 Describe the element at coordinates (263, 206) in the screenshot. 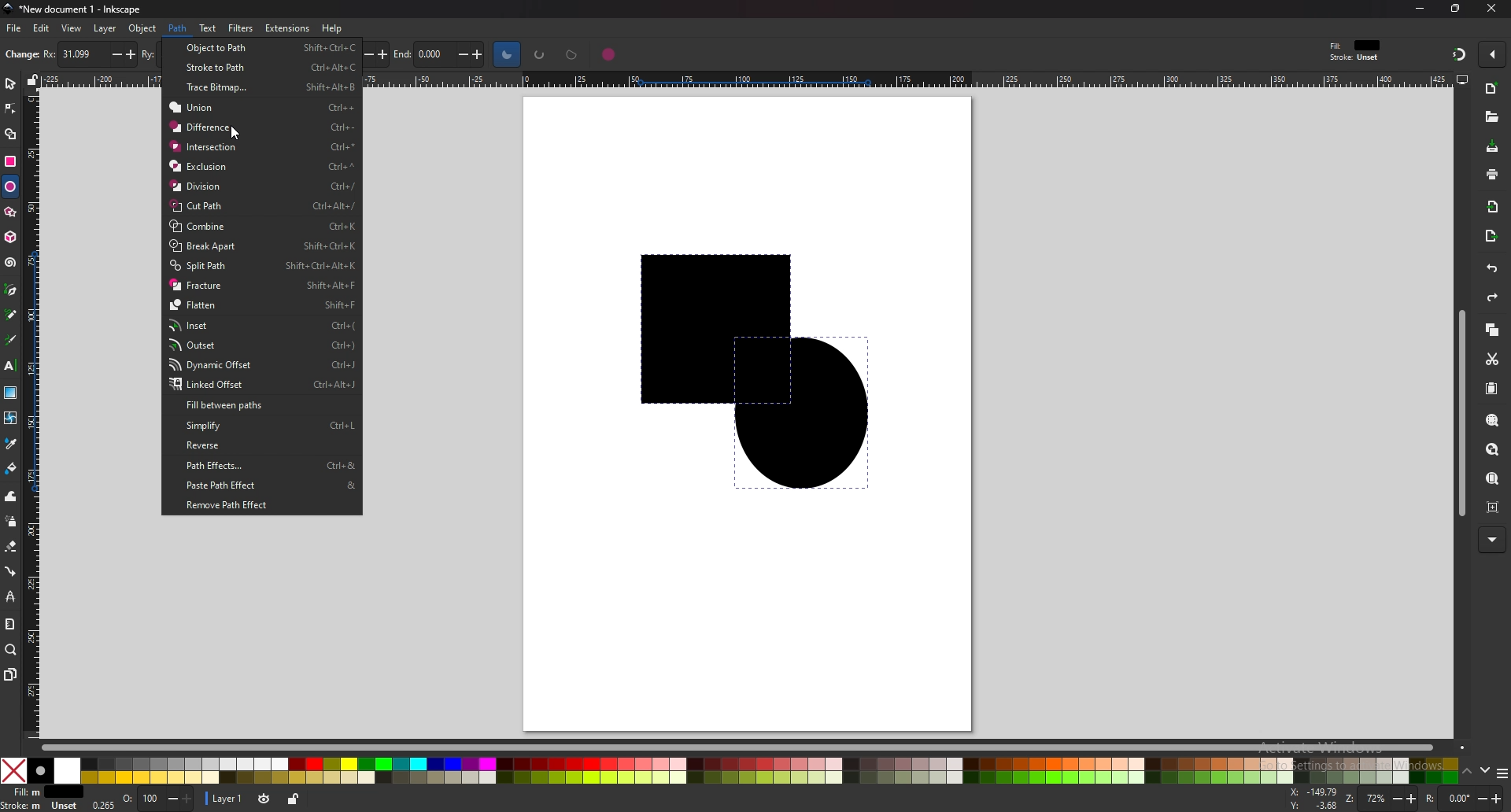

I see `Cut Path` at that location.